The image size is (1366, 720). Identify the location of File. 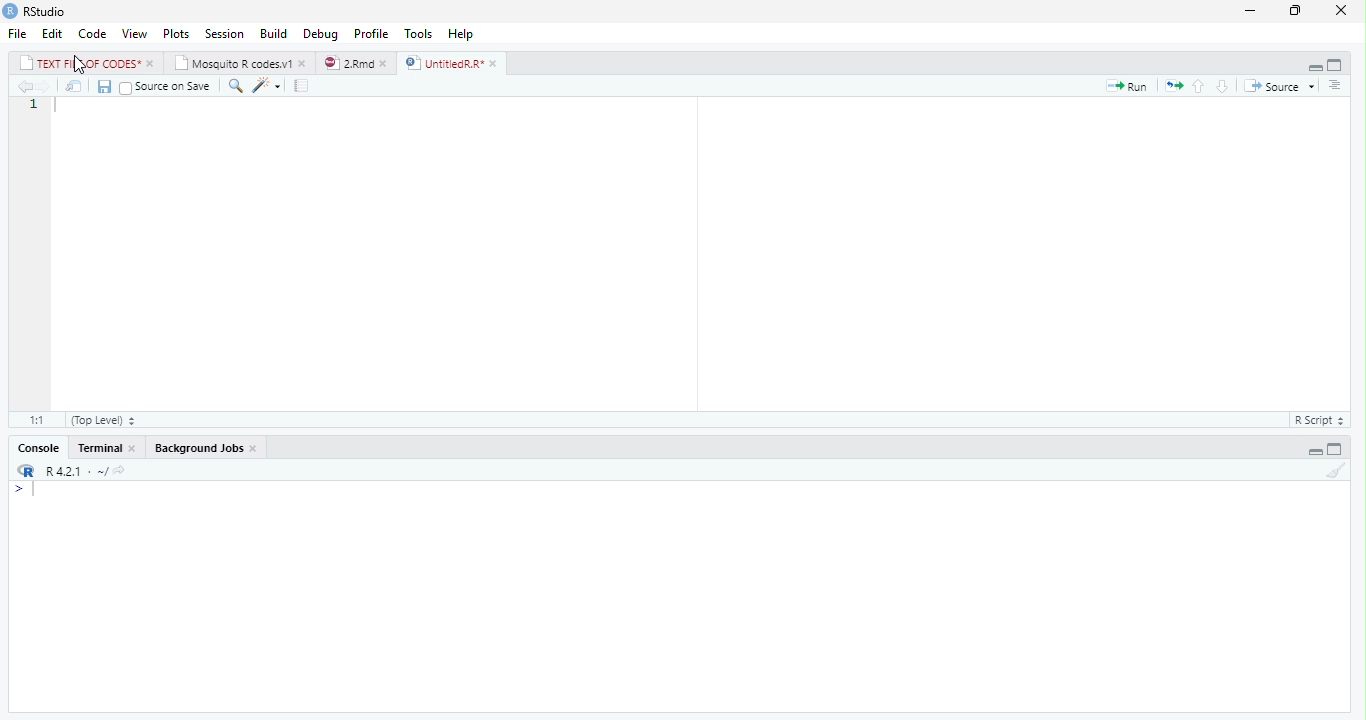
(19, 33).